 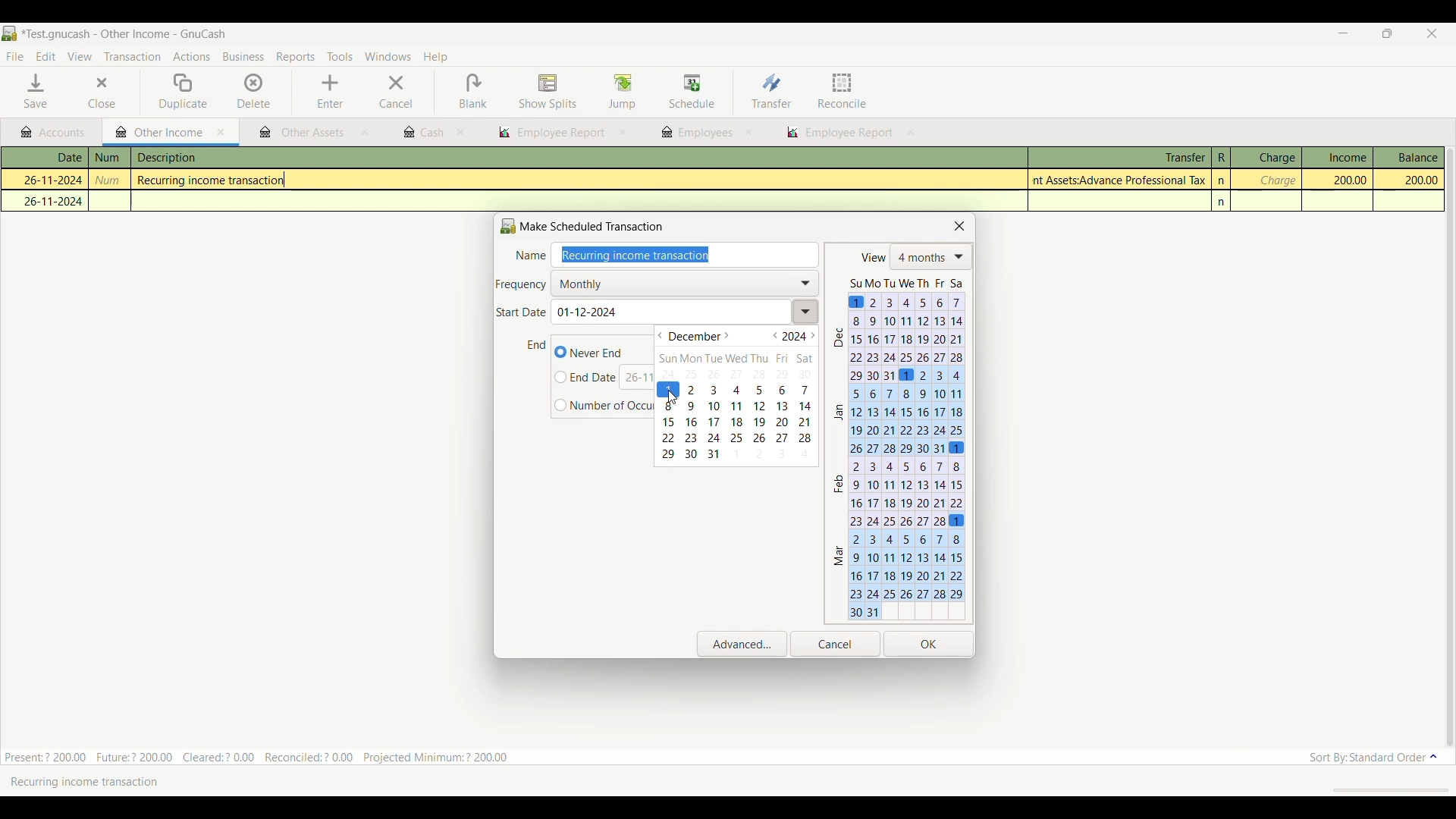 What do you see at coordinates (365, 134) in the screenshot?
I see `close` at bounding box center [365, 134].